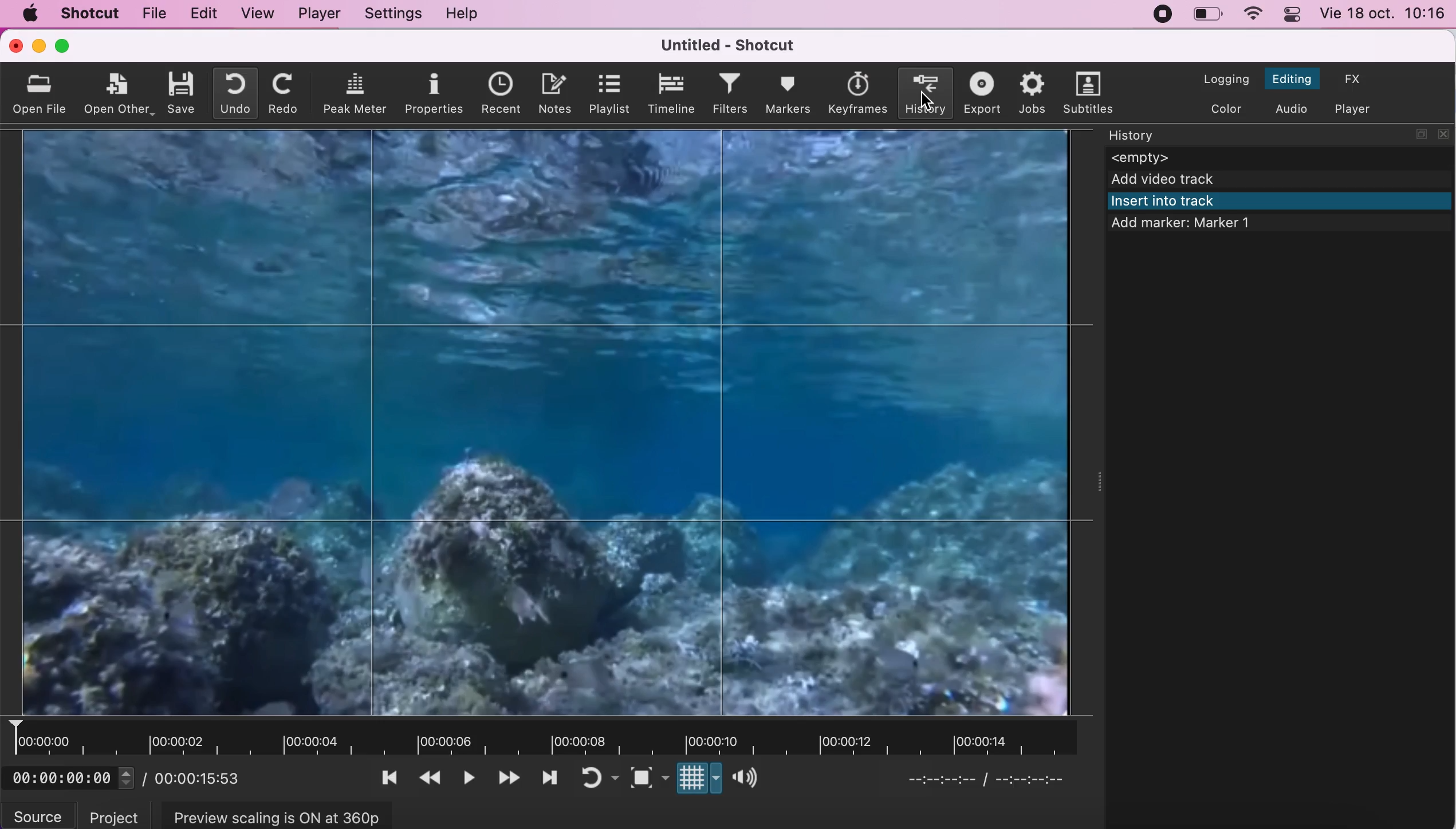 Image resolution: width=1456 pixels, height=829 pixels. I want to click on maximize panel, so click(1420, 134).